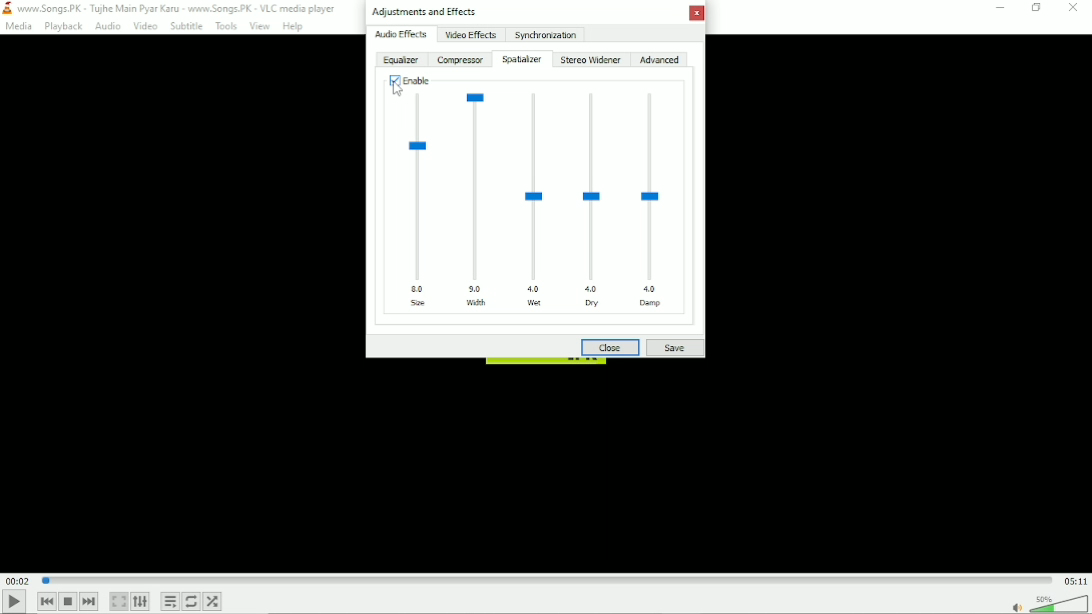 Image resolution: width=1092 pixels, height=614 pixels. Describe the element at coordinates (90, 601) in the screenshot. I see `Next` at that location.